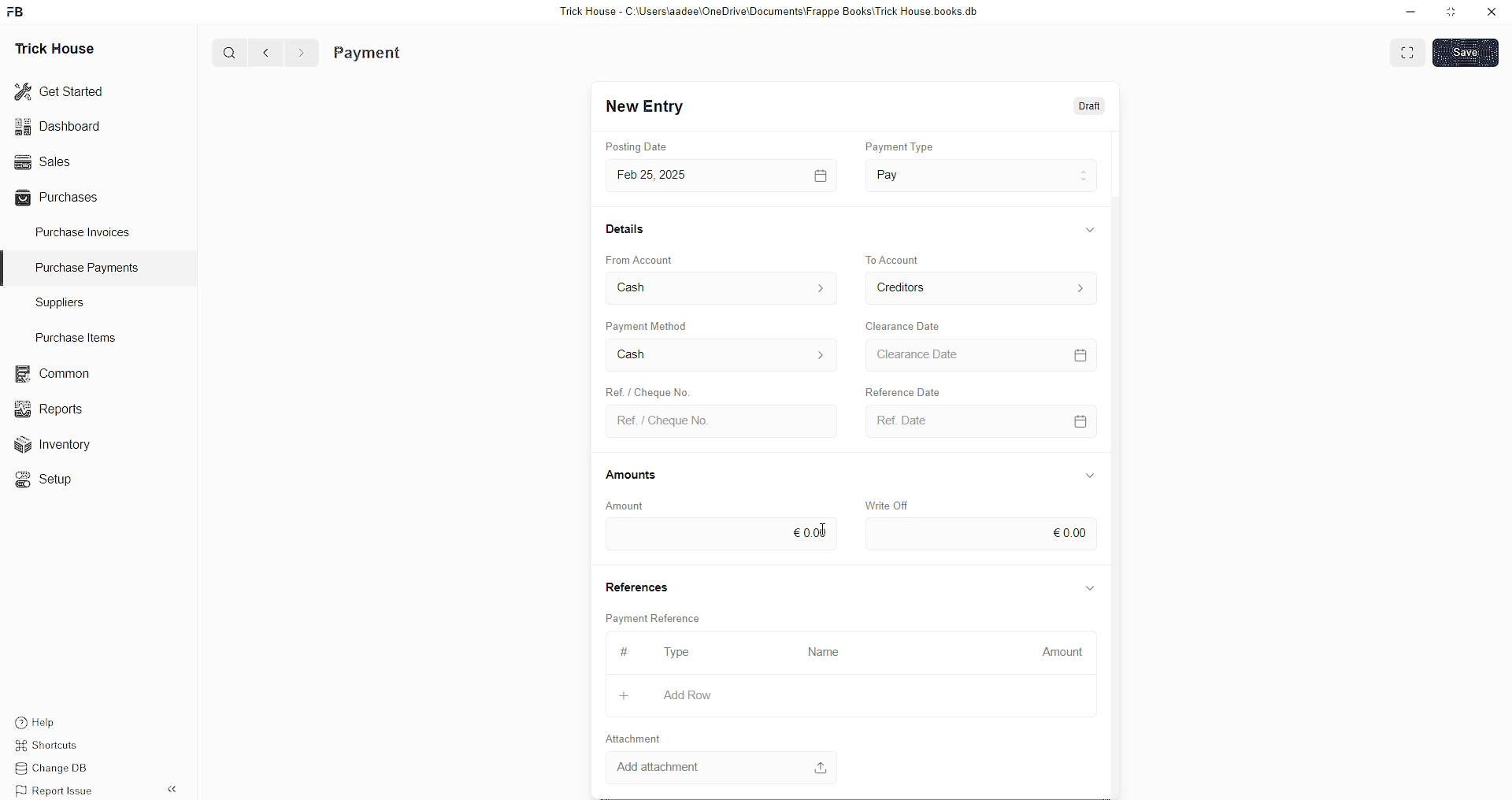 Image resolution: width=1512 pixels, height=800 pixels. Describe the element at coordinates (50, 47) in the screenshot. I see `Trick House` at that location.